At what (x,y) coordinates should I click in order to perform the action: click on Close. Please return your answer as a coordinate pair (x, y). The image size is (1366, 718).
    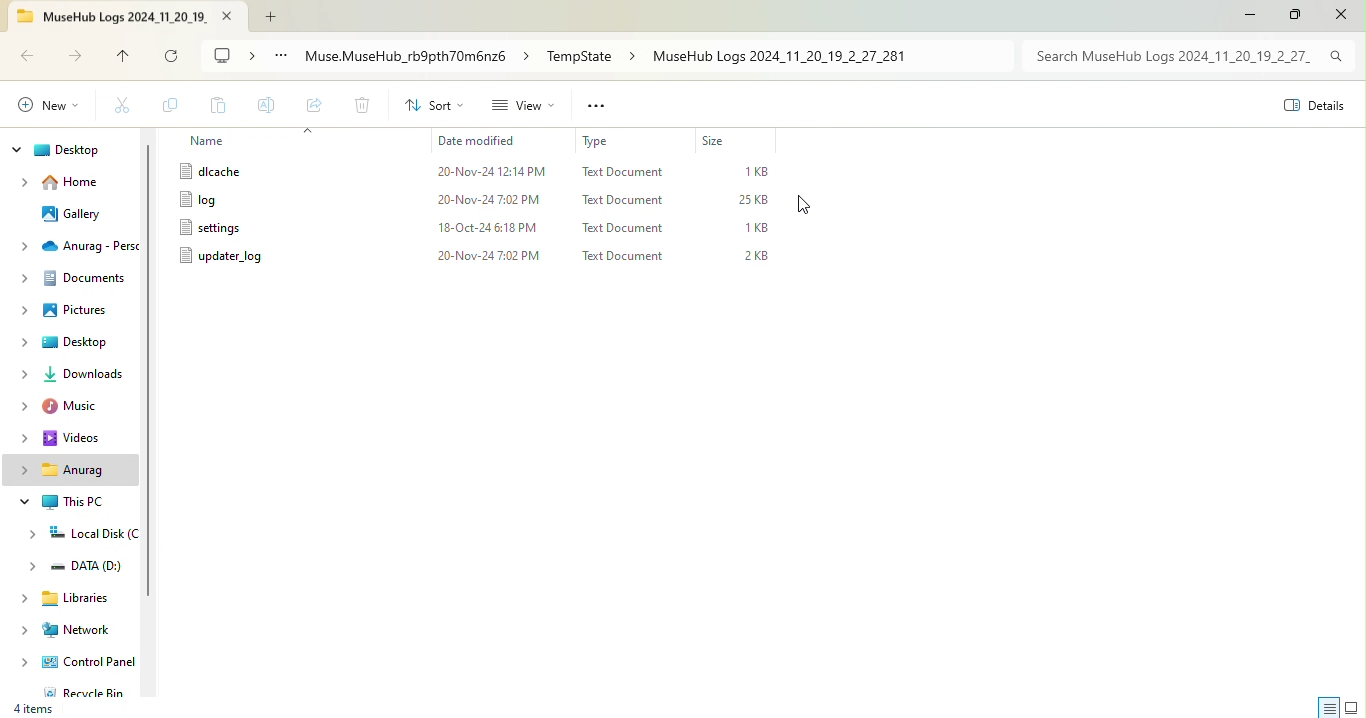
    Looking at the image, I should click on (1337, 15).